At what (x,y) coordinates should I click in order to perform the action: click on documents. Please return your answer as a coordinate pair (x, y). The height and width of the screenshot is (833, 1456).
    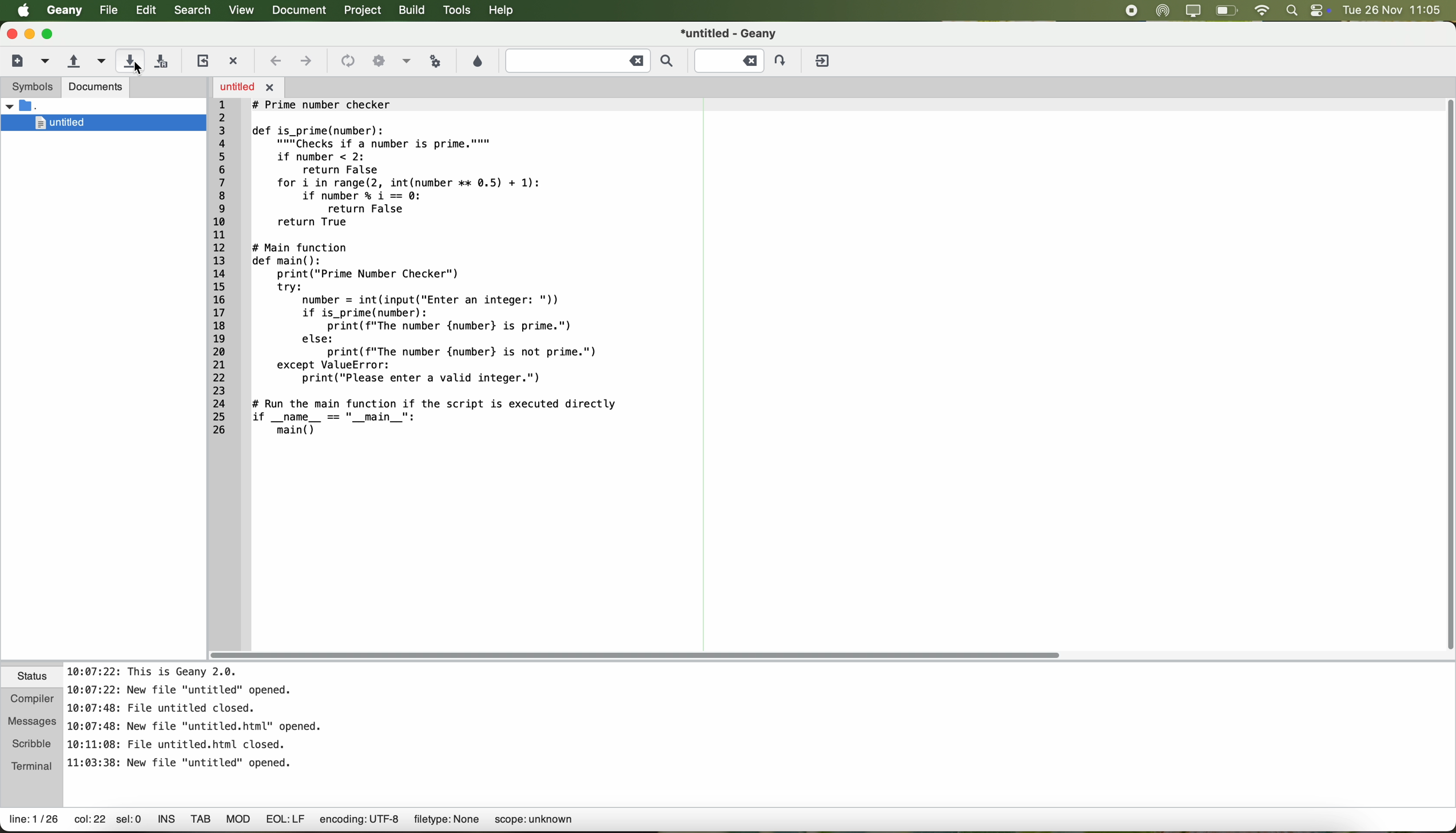
    Looking at the image, I should click on (97, 88).